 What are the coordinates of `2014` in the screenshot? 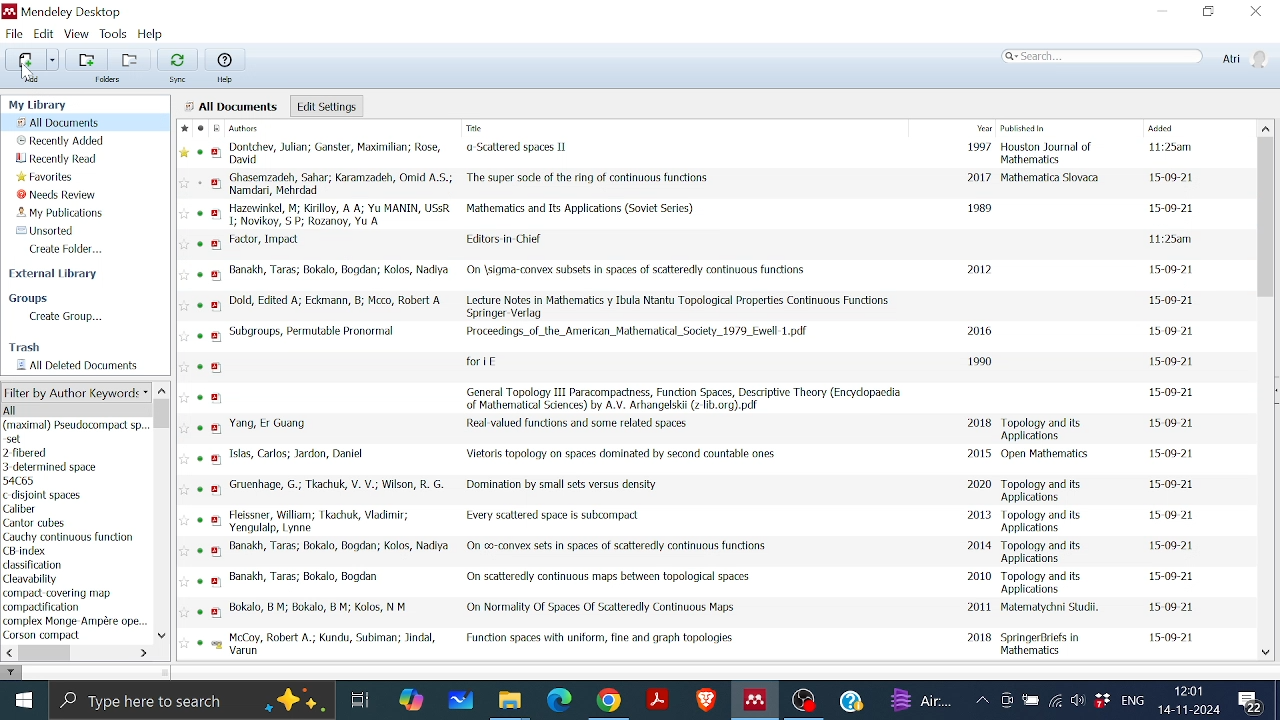 It's located at (979, 543).